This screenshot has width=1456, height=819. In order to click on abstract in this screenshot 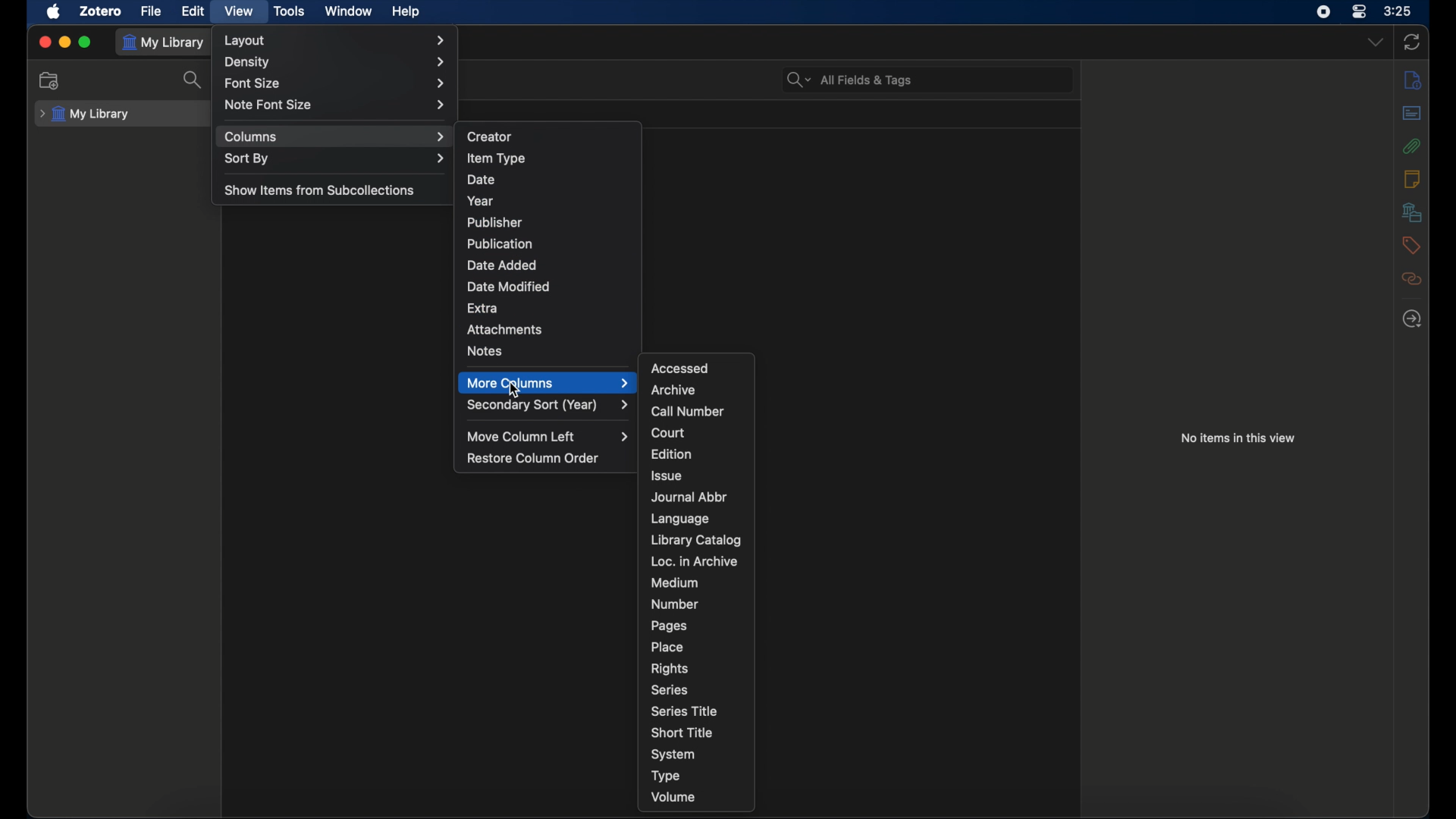, I will do `click(1412, 112)`.